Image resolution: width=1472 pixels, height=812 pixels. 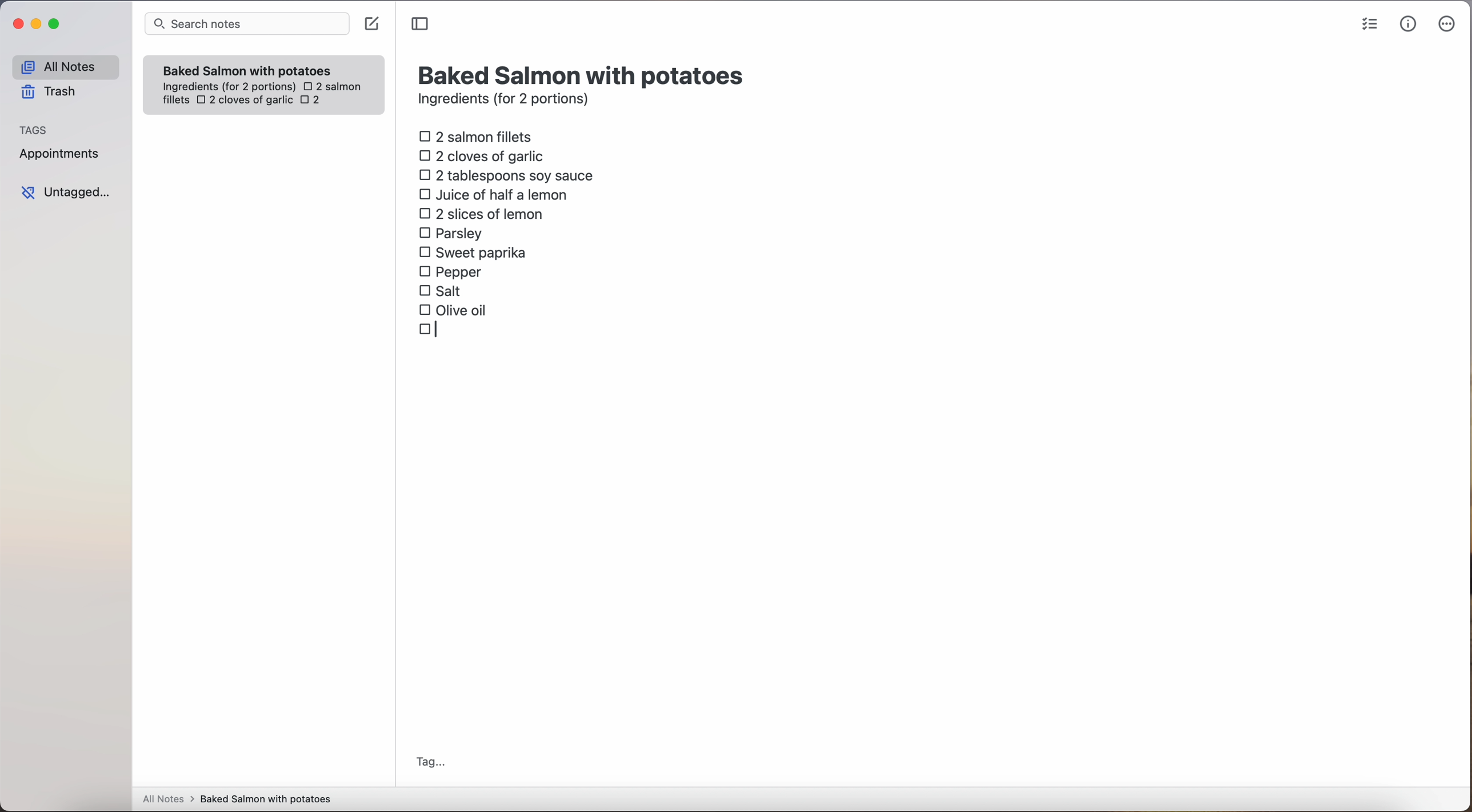 What do you see at coordinates (314, 101) in the screenshot?
I see `2 ` at bounding box center [314, 101].